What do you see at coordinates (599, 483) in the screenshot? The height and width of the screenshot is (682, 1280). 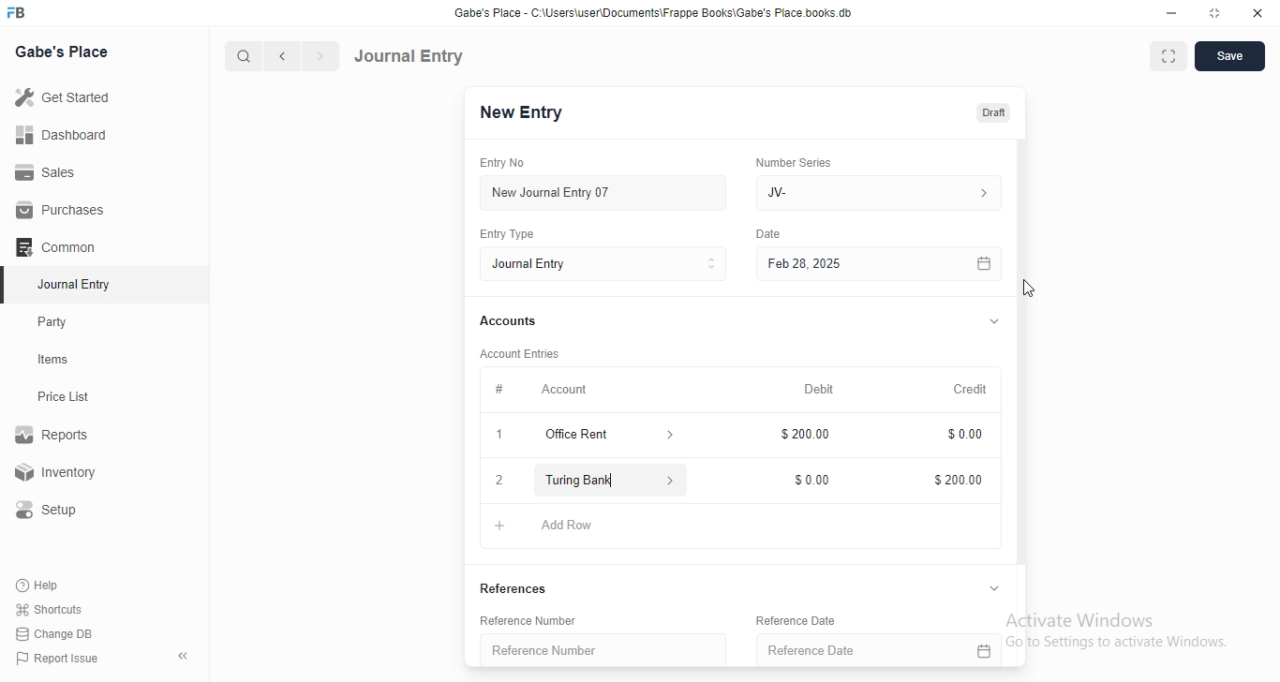 I see `turing bank` at bounding box center [599, 483].